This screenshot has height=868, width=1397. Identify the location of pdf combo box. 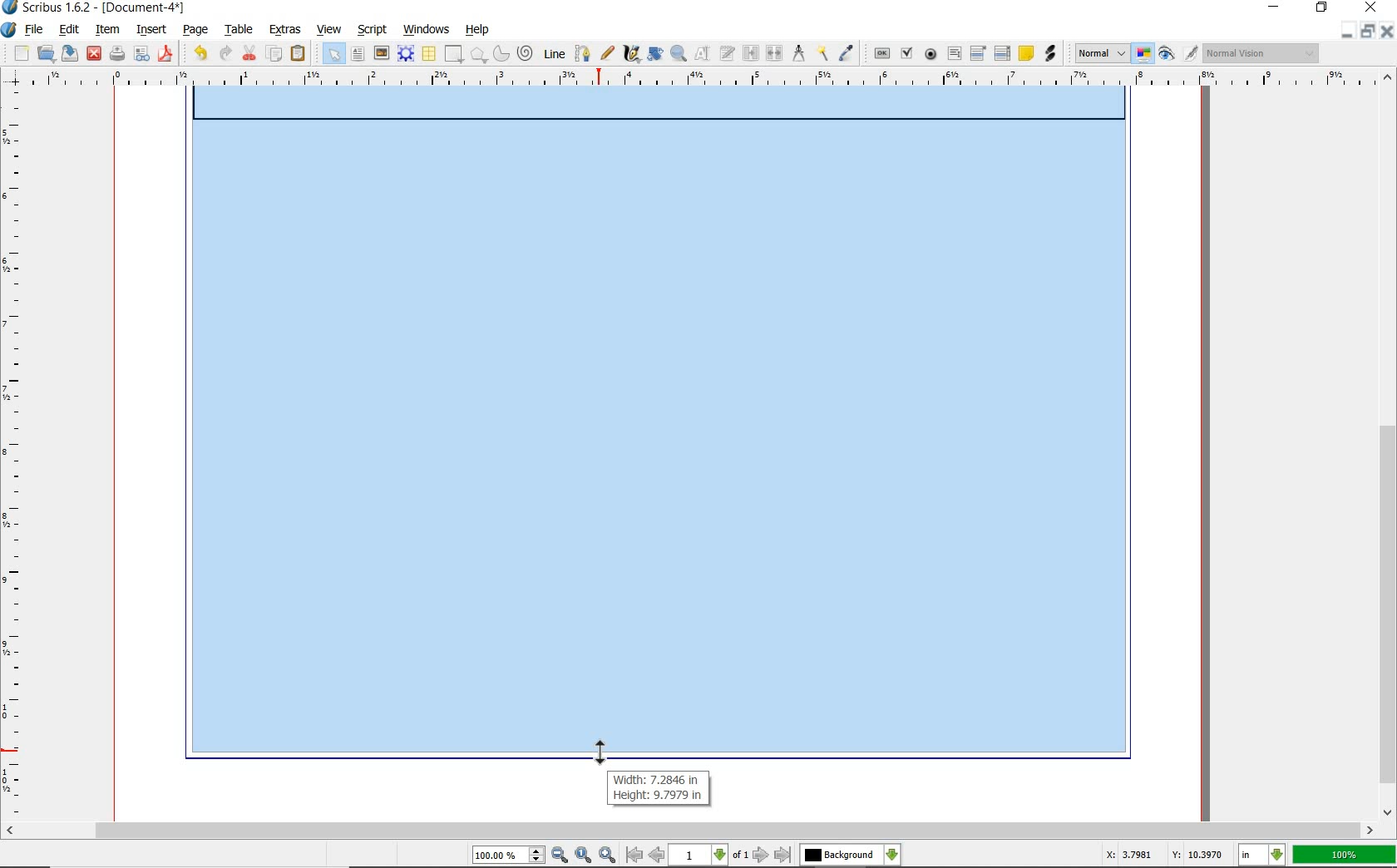
(977, 52).